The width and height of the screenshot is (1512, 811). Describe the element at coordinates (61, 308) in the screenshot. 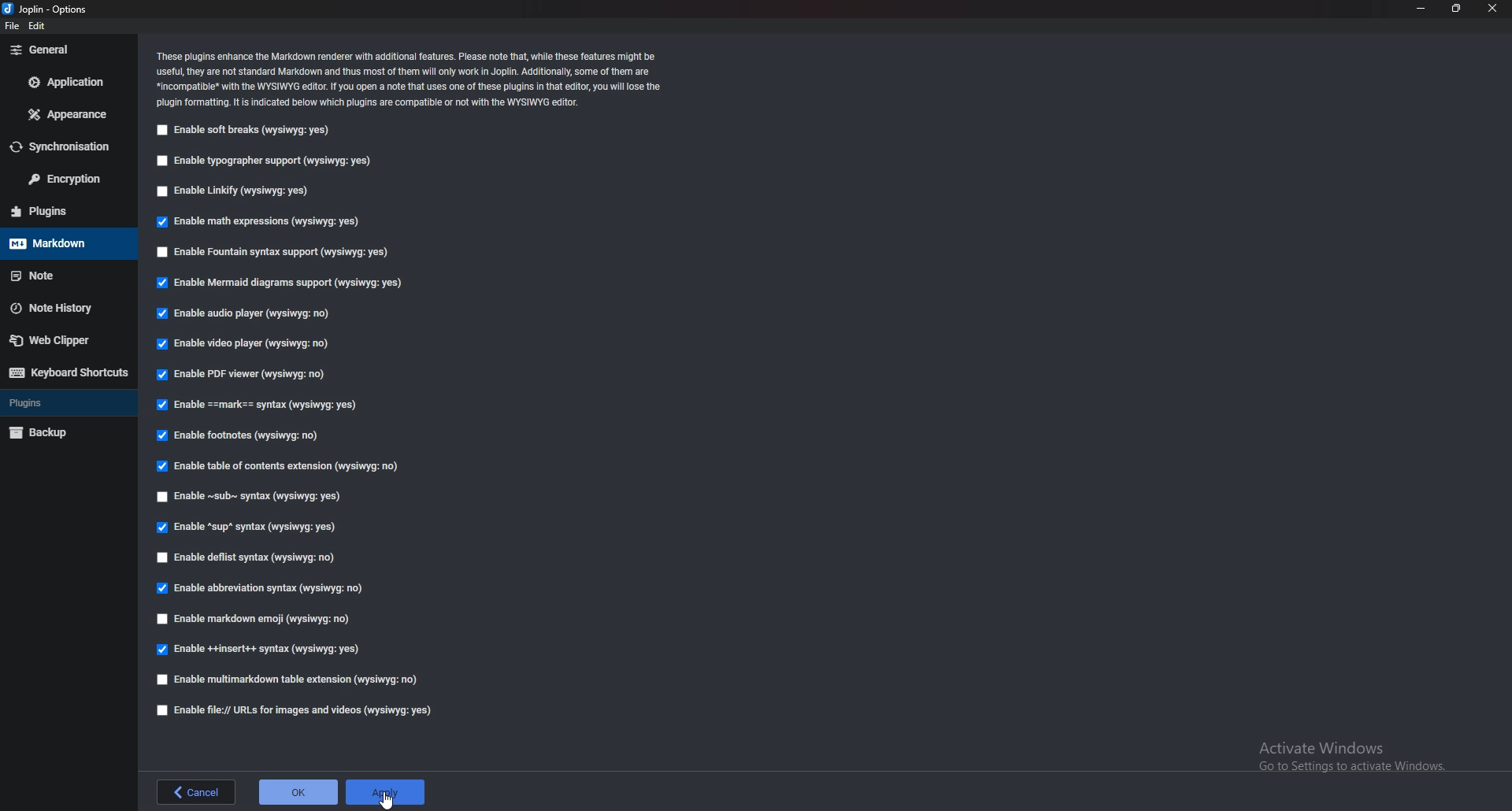

I see `Note history` at that location.